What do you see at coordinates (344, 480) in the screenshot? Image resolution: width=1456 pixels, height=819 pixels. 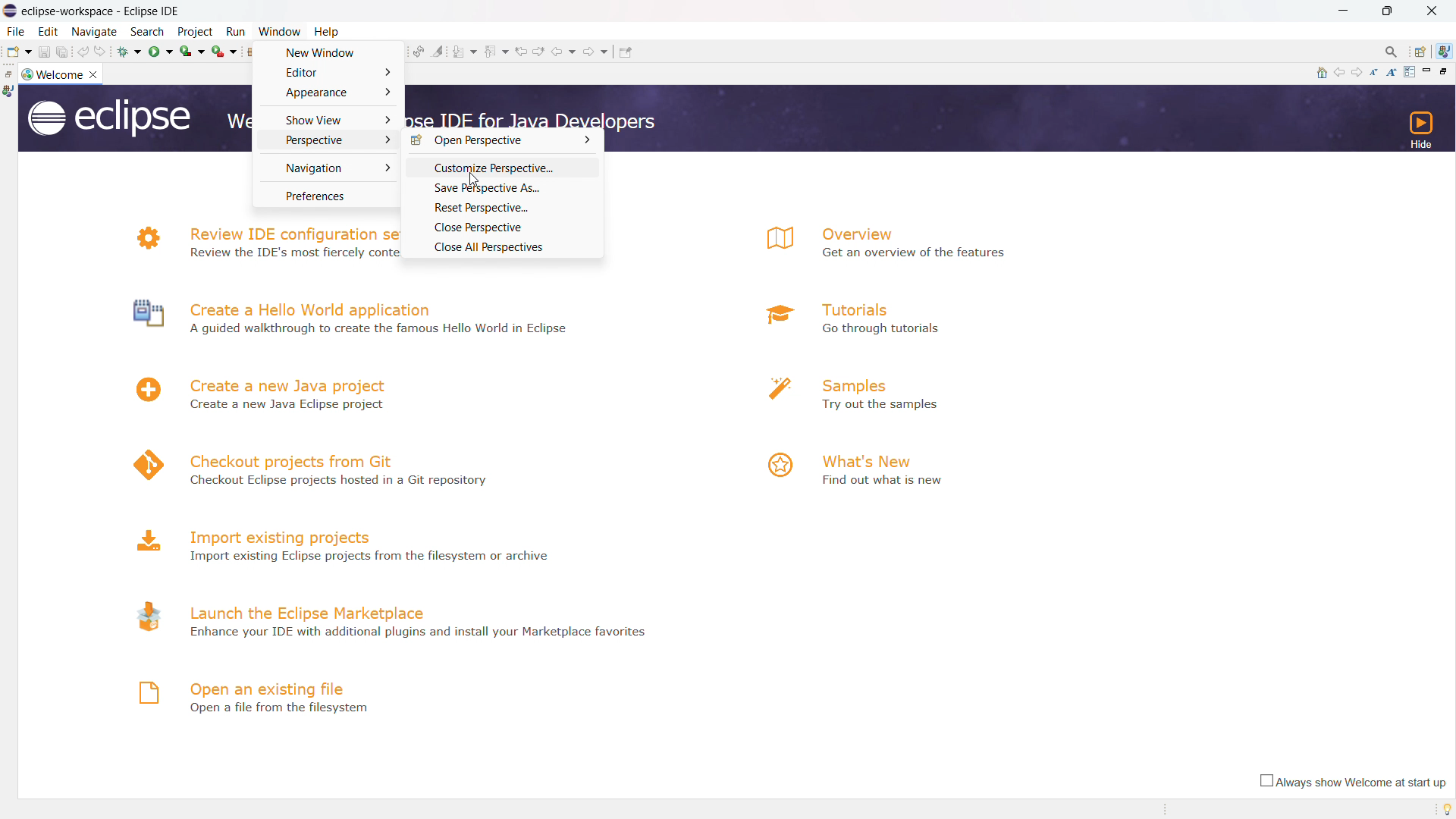 I see `4 Checkout Eclipse projects hosted in a Git repository` at bounding box center [344, 480].